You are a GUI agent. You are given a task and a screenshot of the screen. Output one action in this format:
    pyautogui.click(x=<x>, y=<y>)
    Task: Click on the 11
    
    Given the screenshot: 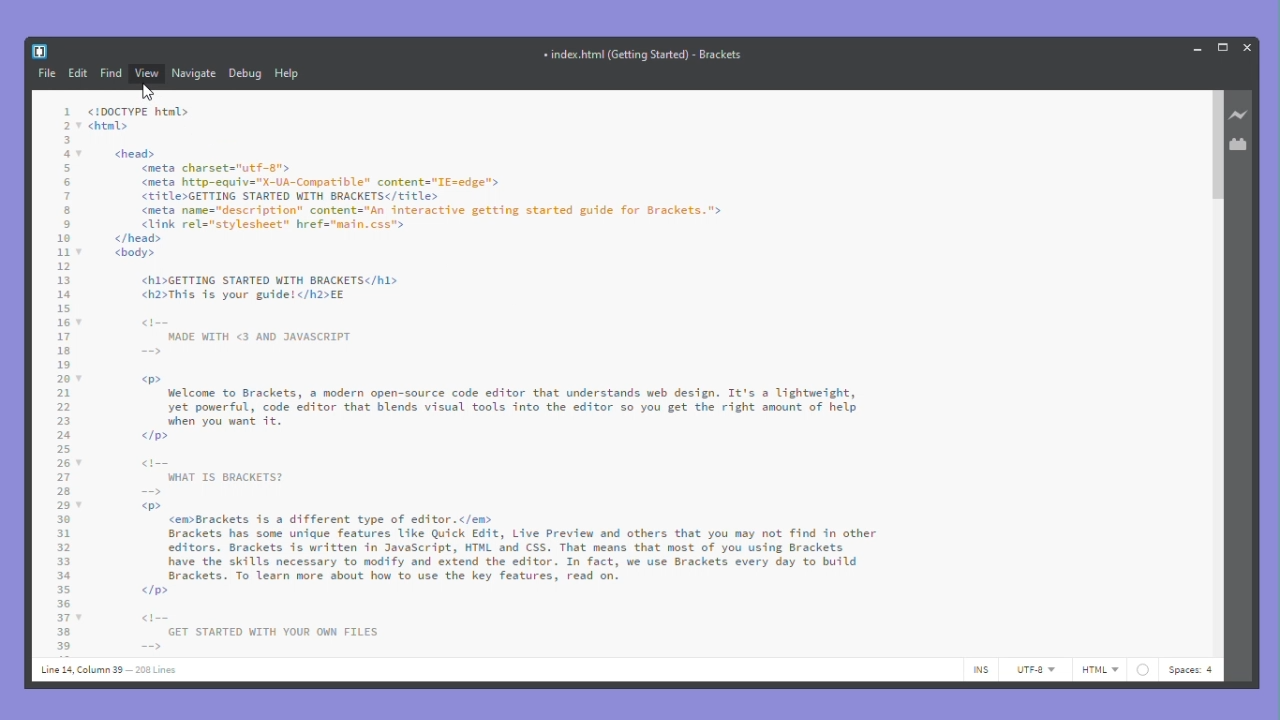 What is the action you would take?
    pyautogui.click(x=63, y=253)
    